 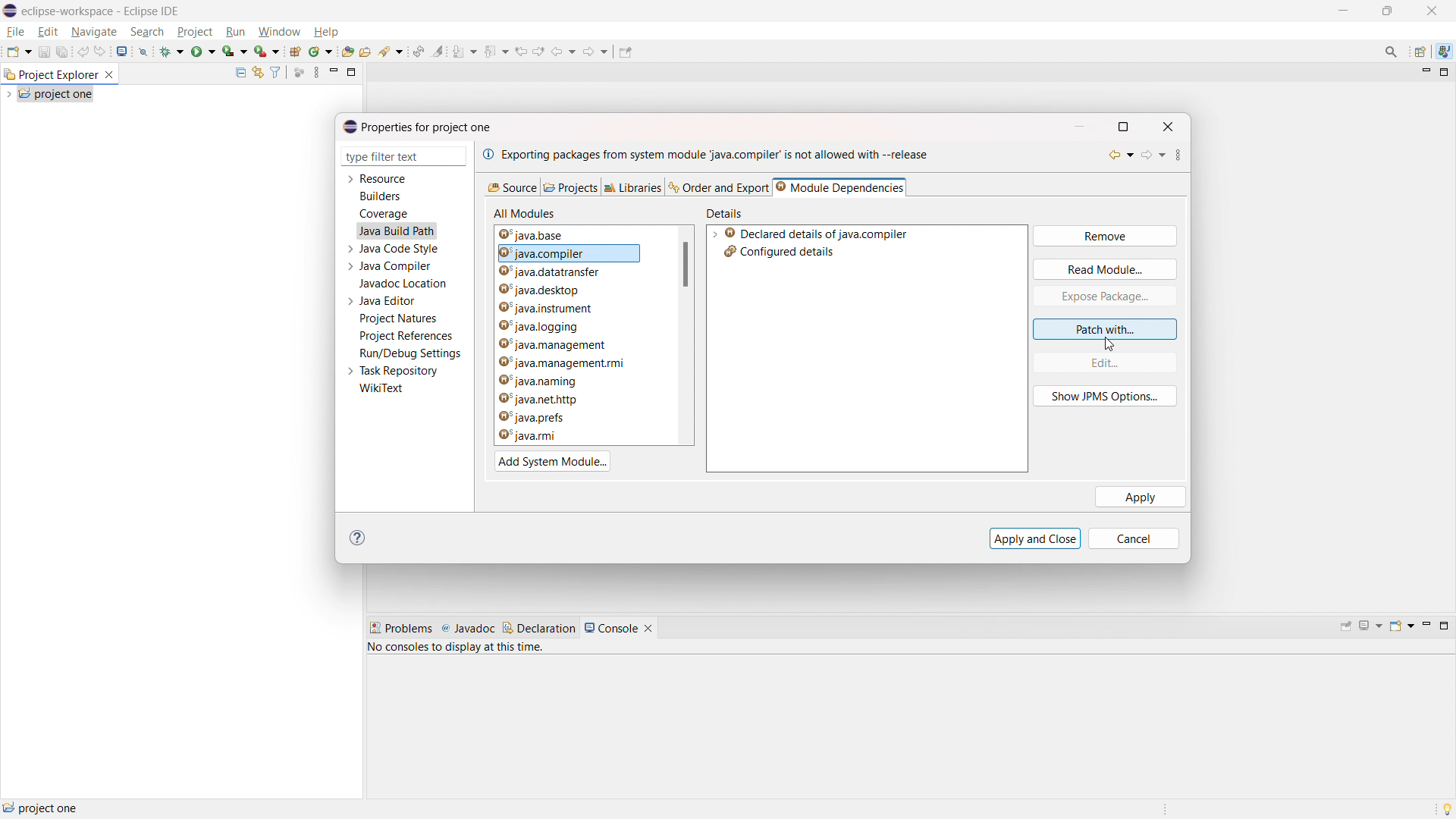 What do you see at coordinates (352, 71) in the screenshot?
I see `maximize` at bounding box center [352, 71].